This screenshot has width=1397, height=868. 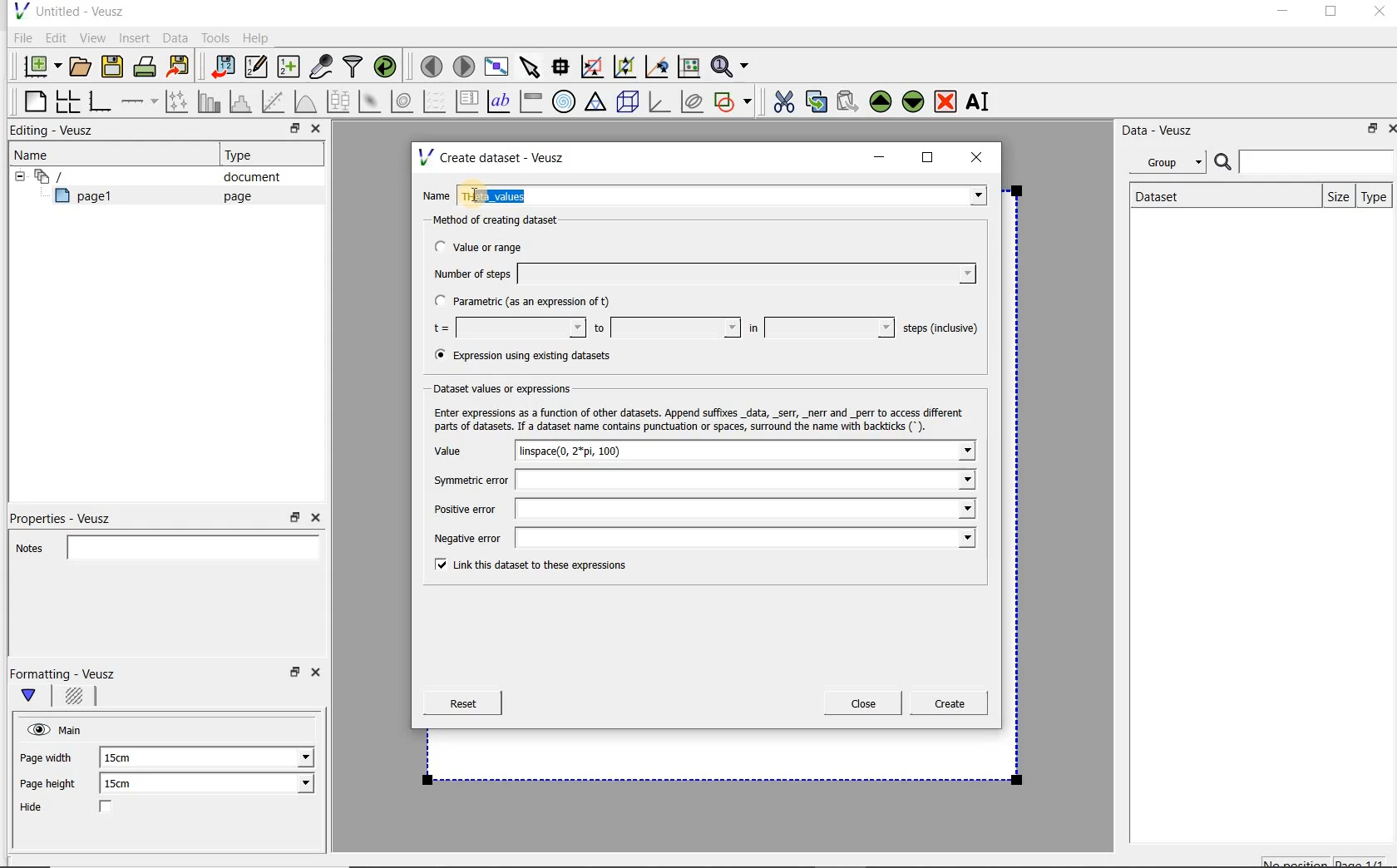 What do you see at coordinates (148, 66) in the screenshot?
I see `print the document` at bounding box center [148, 66].